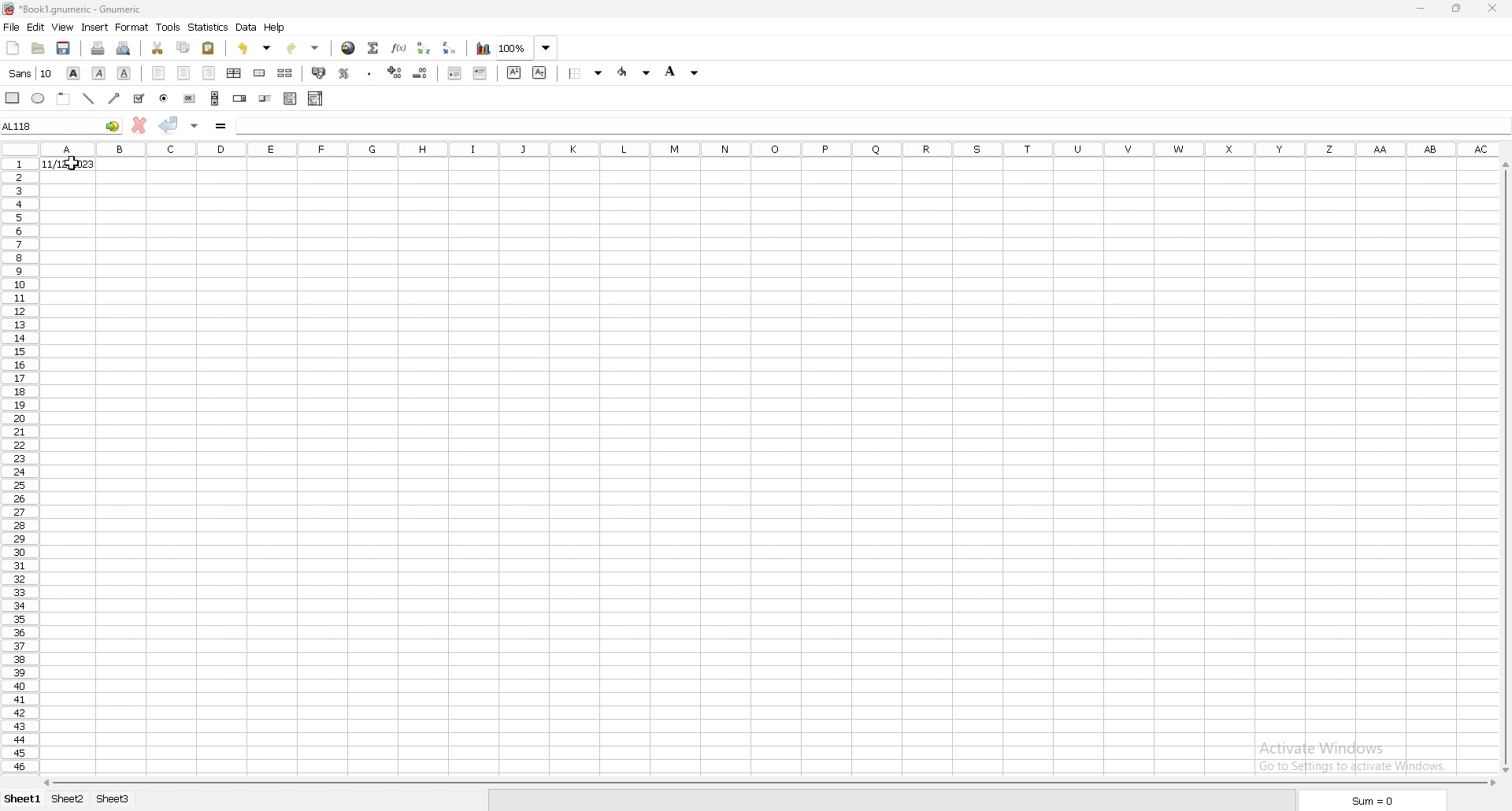 This screenshot has width=1512, height=811. What do you see at coordinates (215, 98) in the screenshot?
I see `scroll bar` at bounding box center [215, 98].